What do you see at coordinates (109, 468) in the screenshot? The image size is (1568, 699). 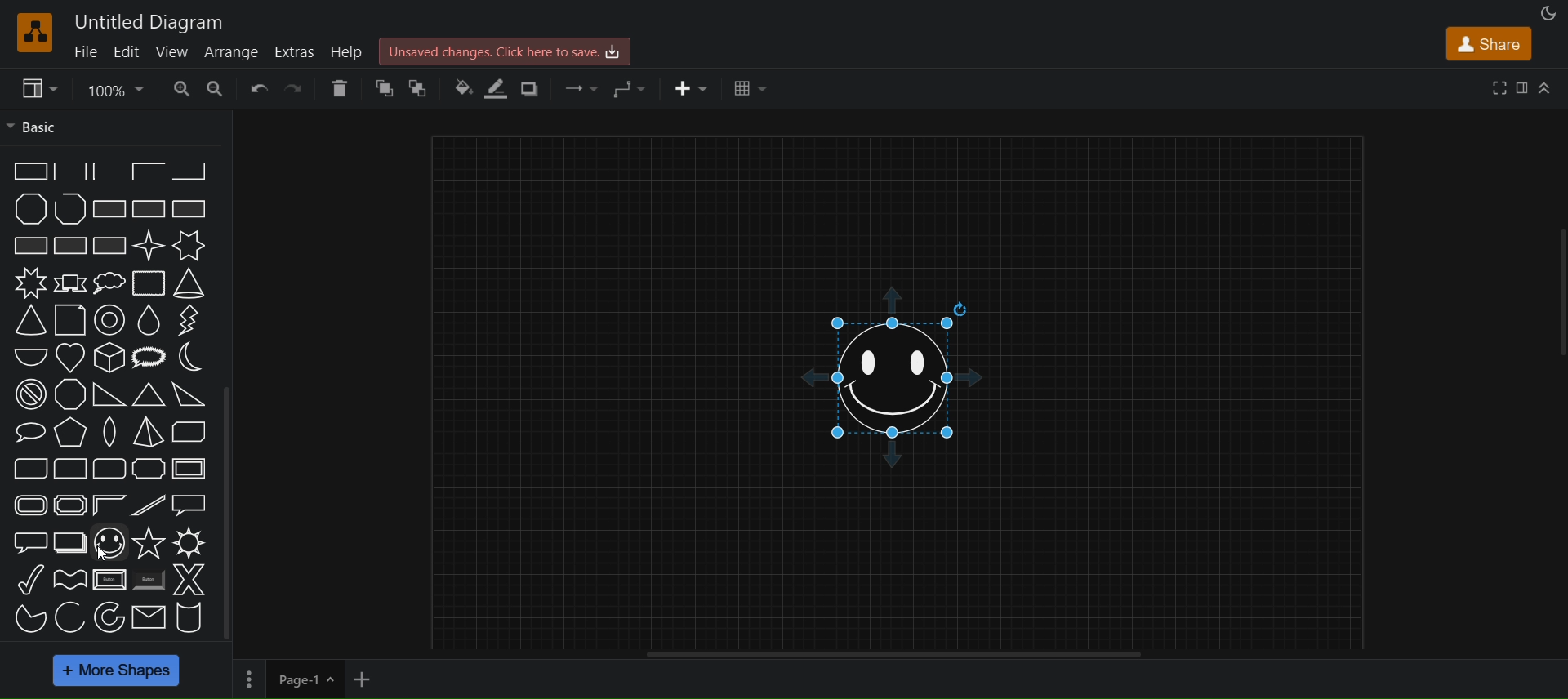 I see `rounded rectangle (three corners)` at bounding box center [109, 468].